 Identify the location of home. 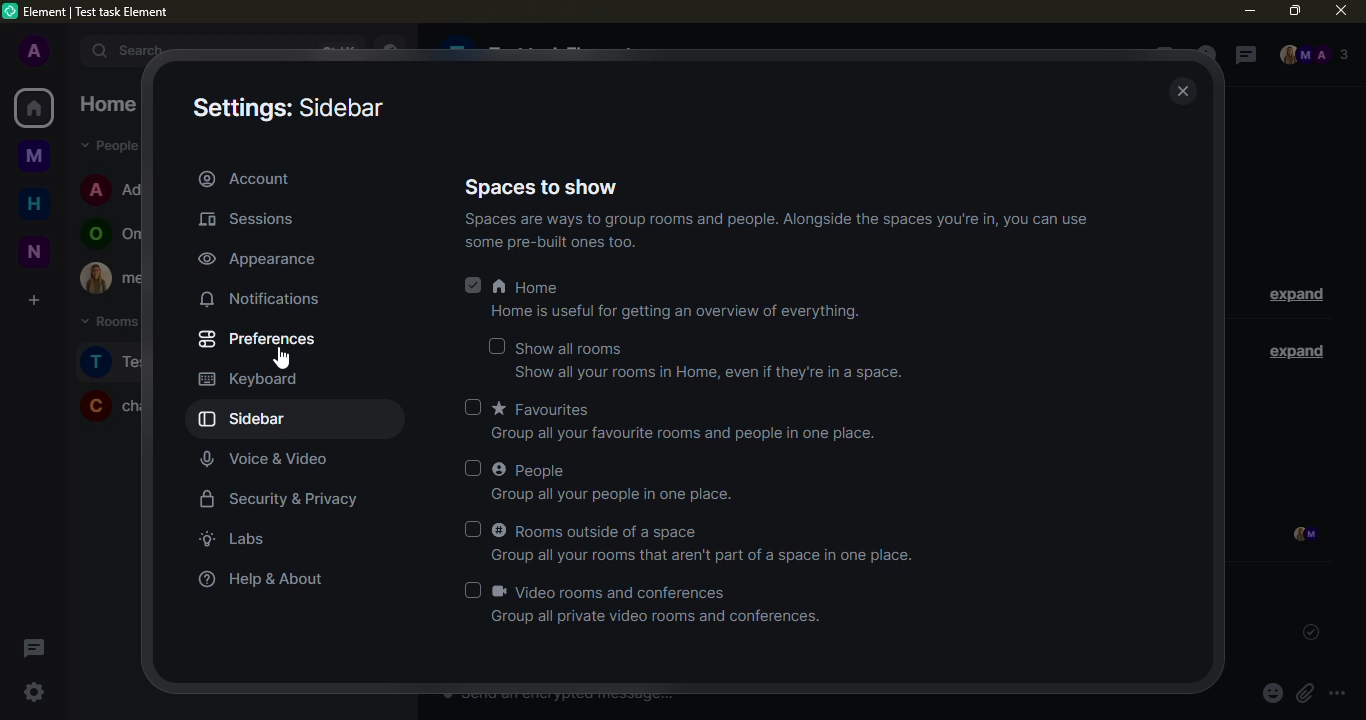
(526, 288).